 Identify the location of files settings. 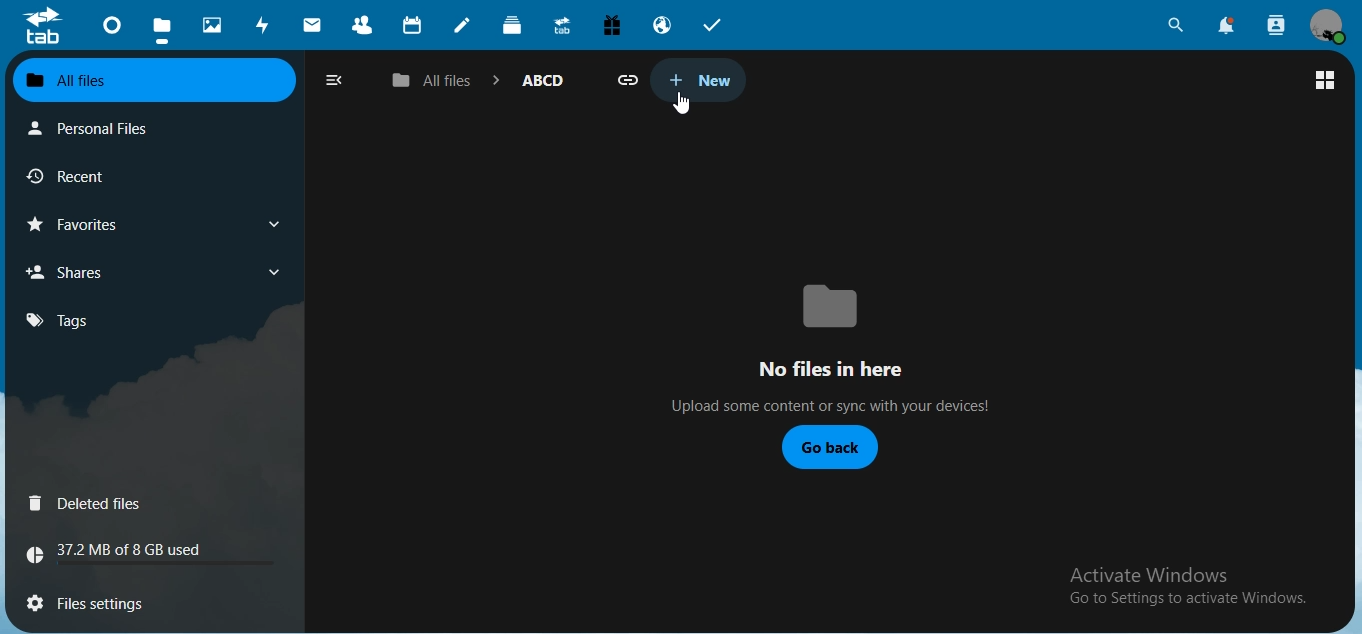
(117, 600).